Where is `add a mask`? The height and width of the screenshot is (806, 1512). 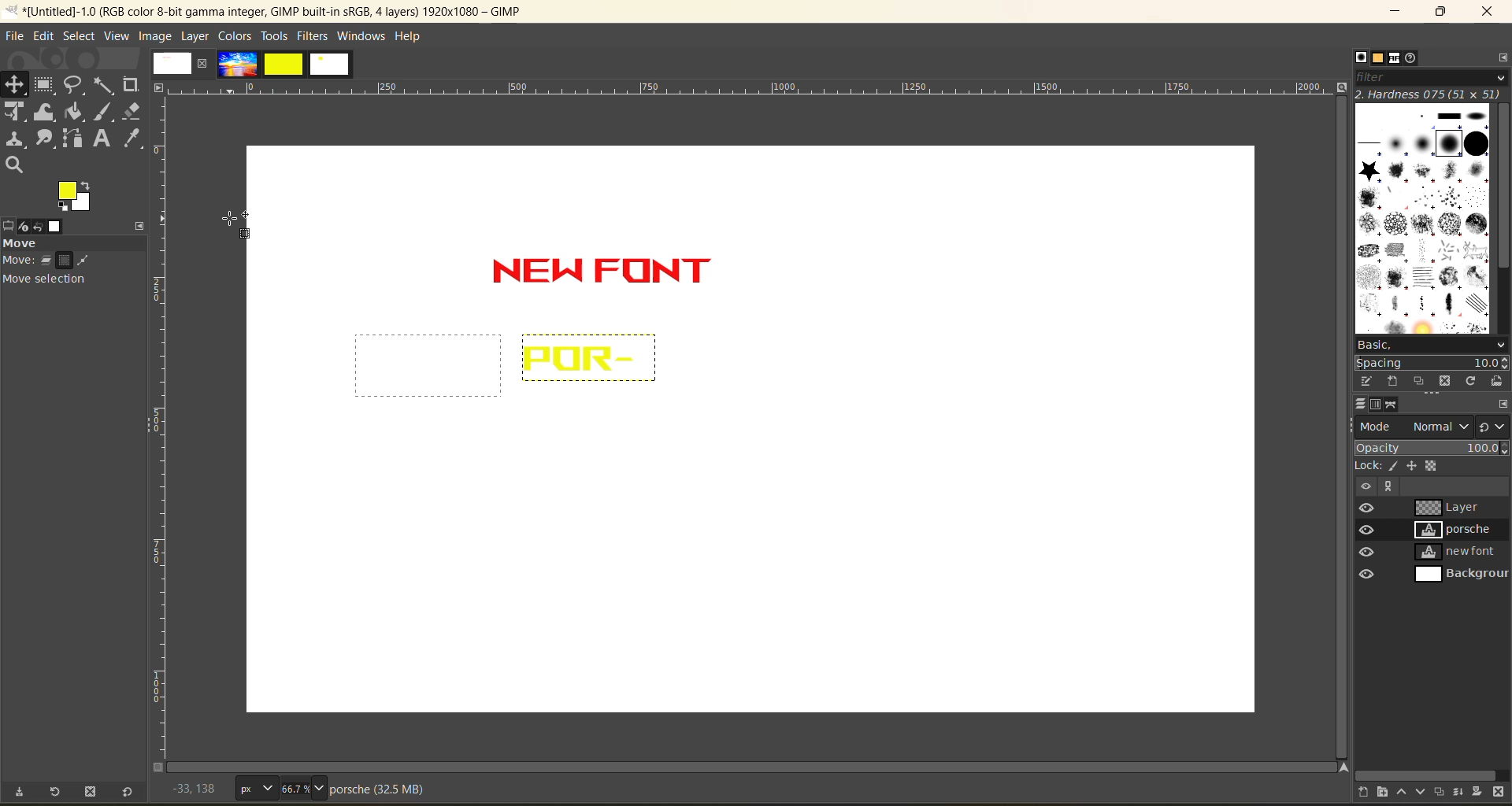 add a mask is located at coordinates (1482, 790).